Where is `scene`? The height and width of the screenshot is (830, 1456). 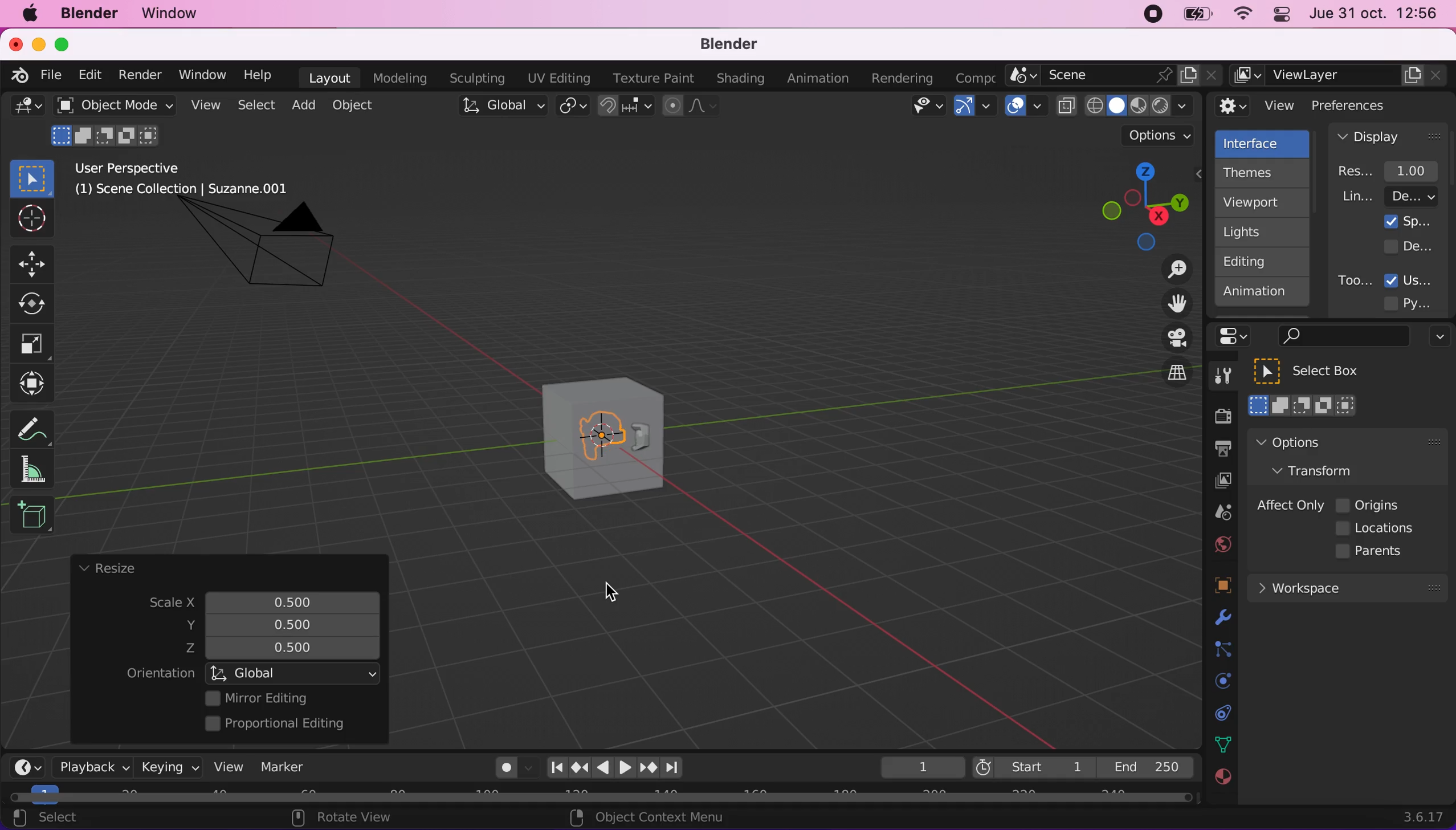 scene is located at coordinates (1114, 76).